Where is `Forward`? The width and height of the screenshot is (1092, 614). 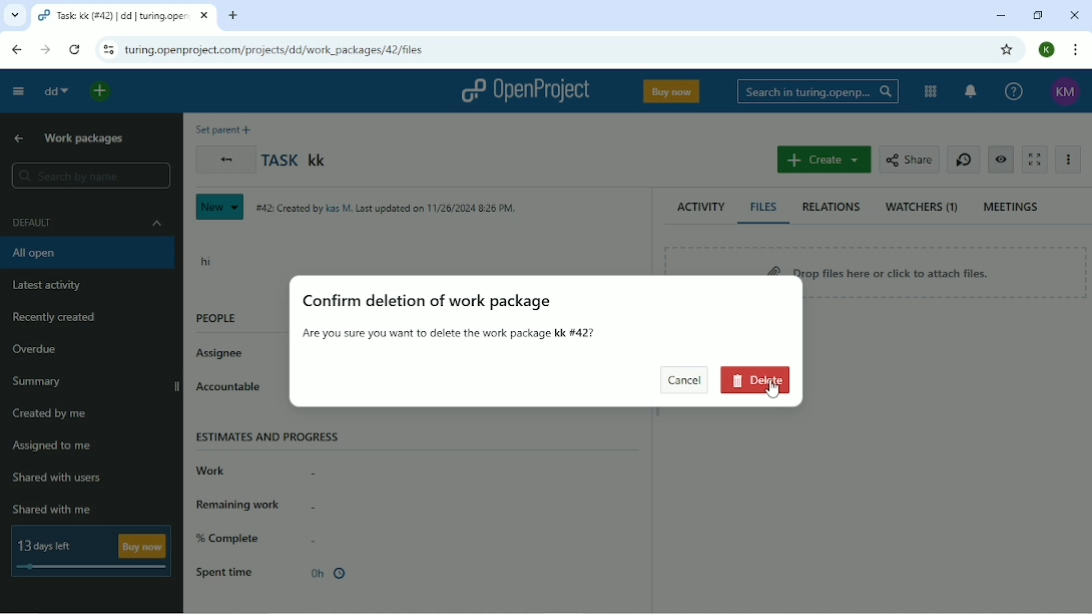 Forward is located at coordinates (48, 50).